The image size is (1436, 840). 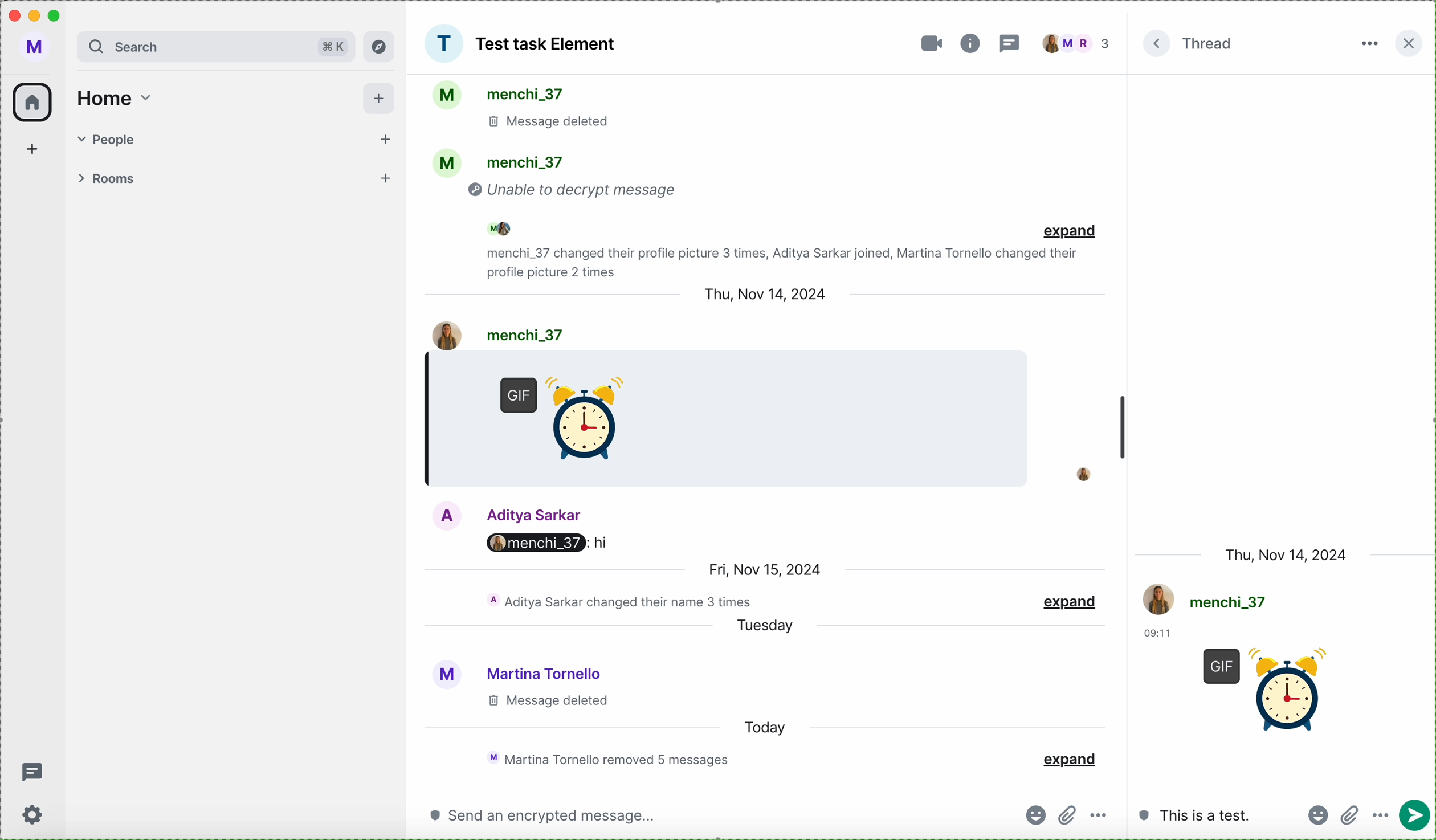 What do you see at coordinates (1102, 817) in the screenshot?
I see `more options` at bounding box center [1102, 817].